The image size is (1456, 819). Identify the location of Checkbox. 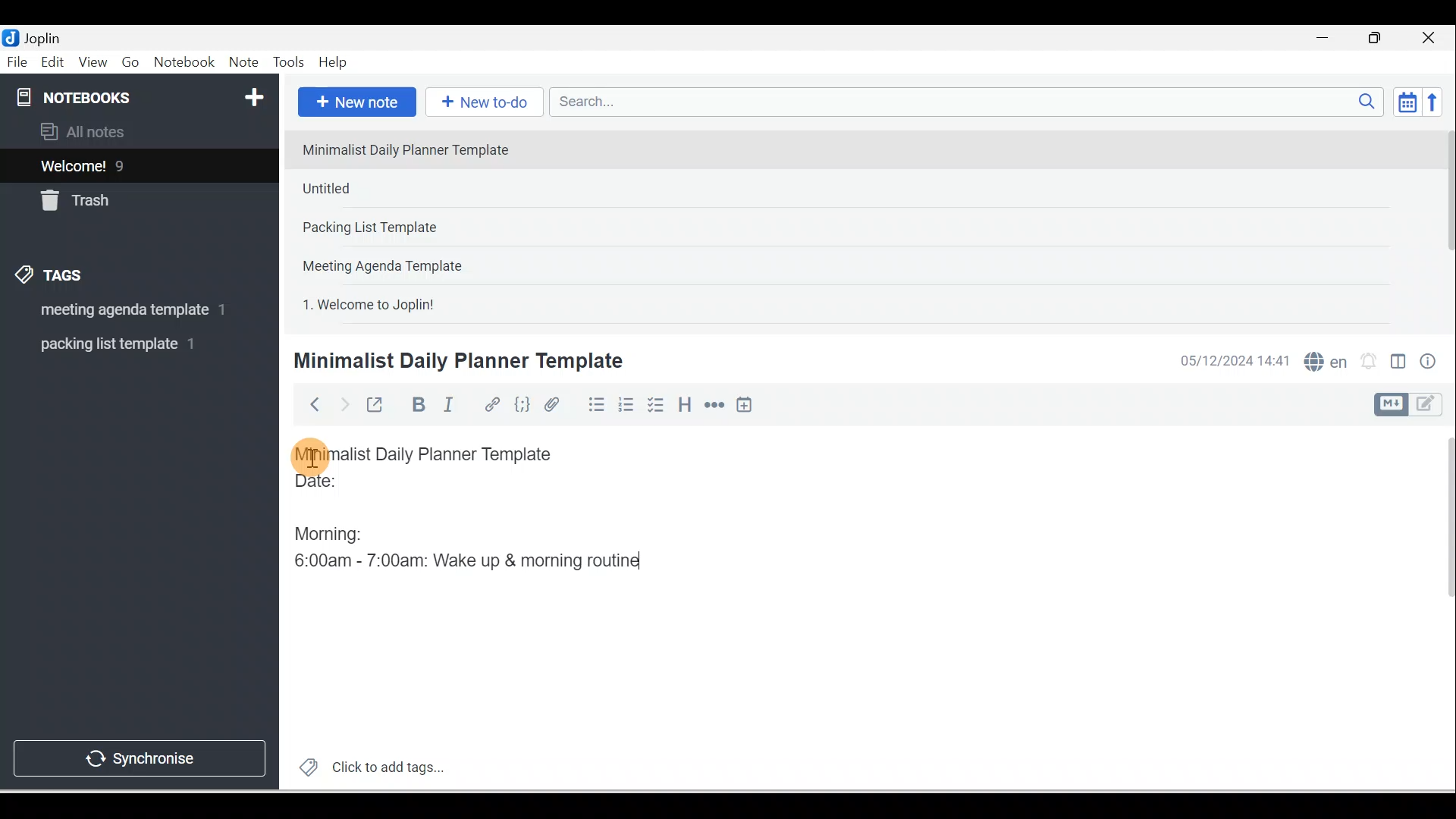
(654, 405).